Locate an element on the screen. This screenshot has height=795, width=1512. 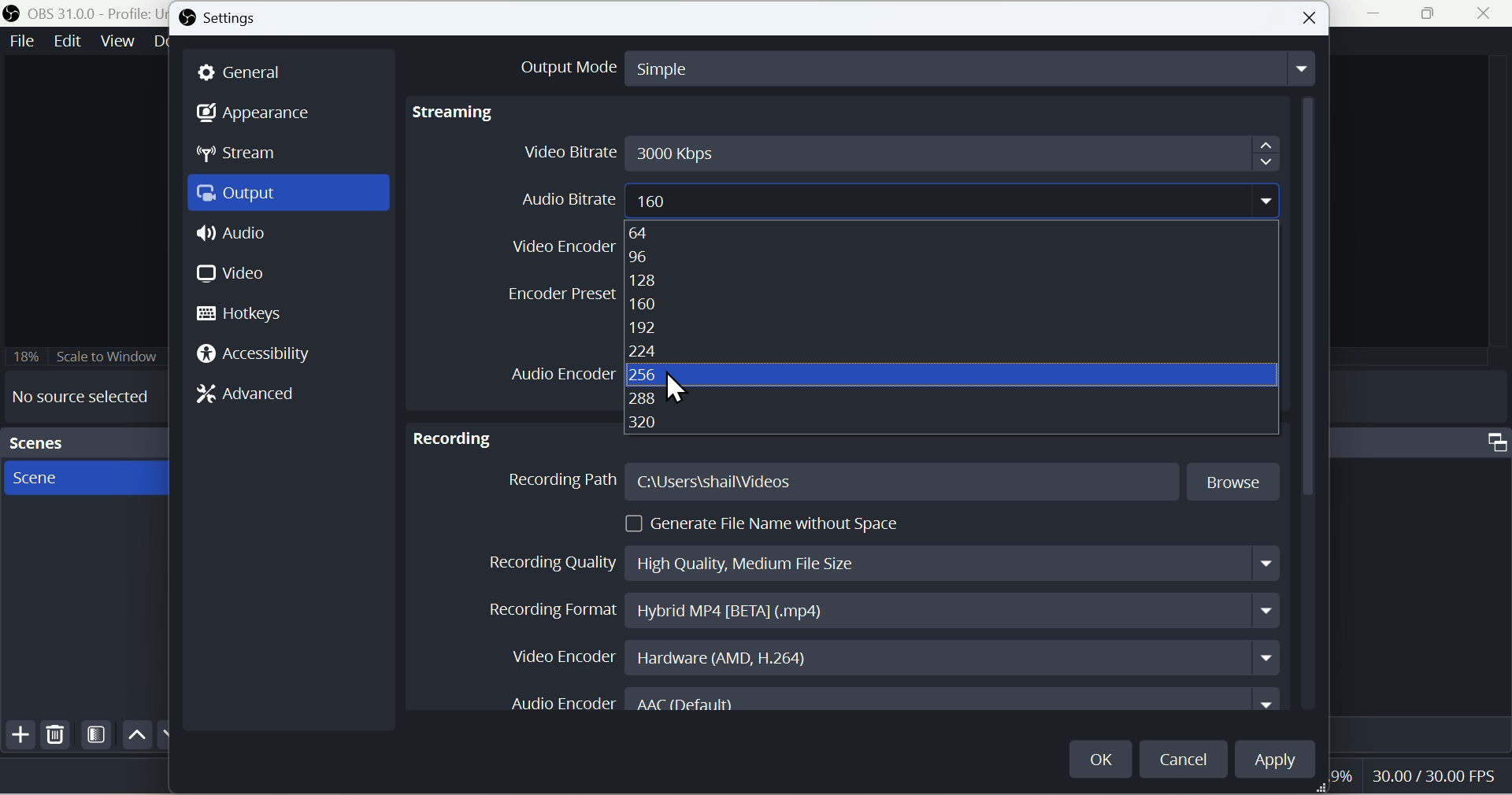
Recording Format is located at coordinates (877, 611).